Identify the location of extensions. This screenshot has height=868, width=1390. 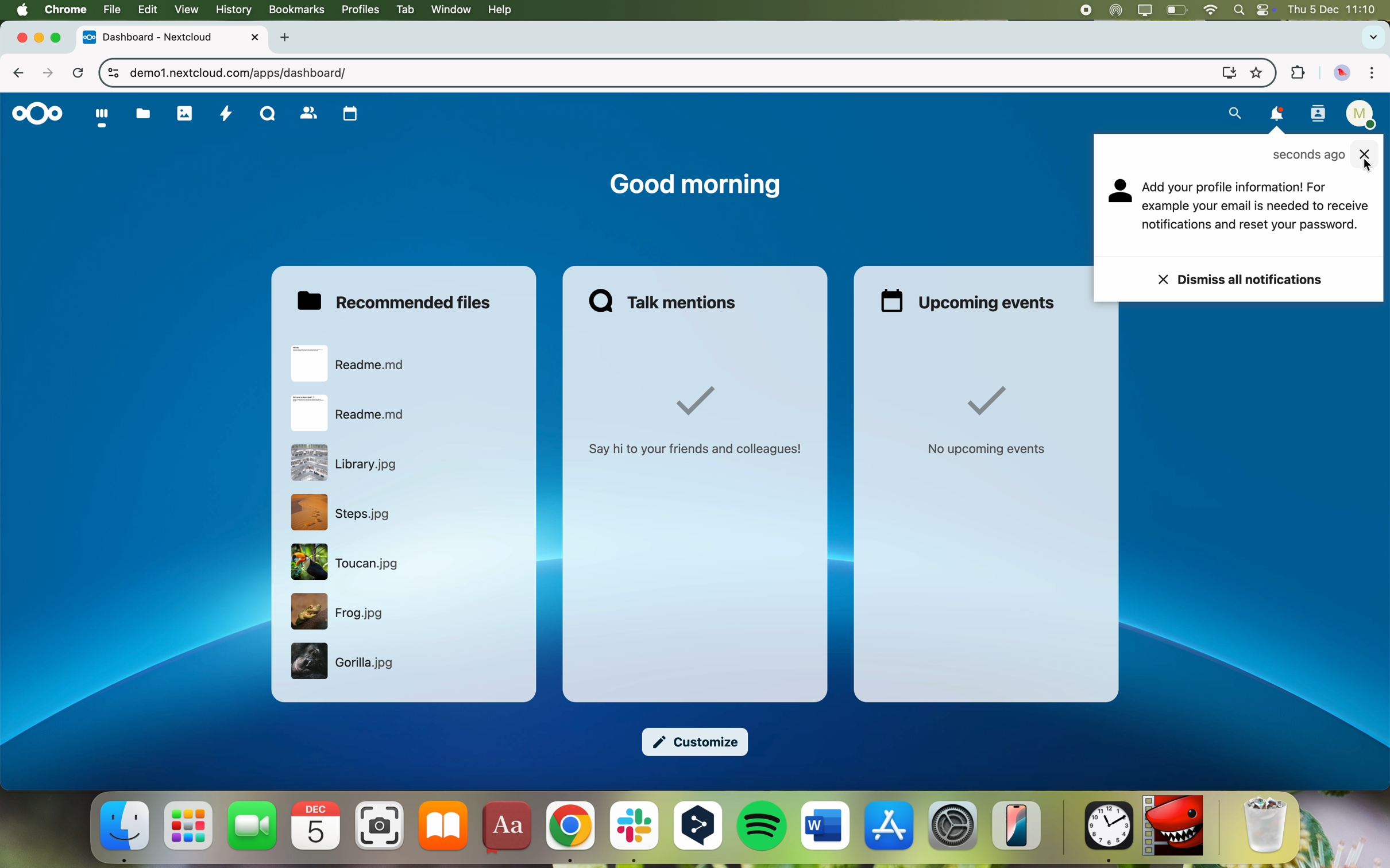
(1296, 74).